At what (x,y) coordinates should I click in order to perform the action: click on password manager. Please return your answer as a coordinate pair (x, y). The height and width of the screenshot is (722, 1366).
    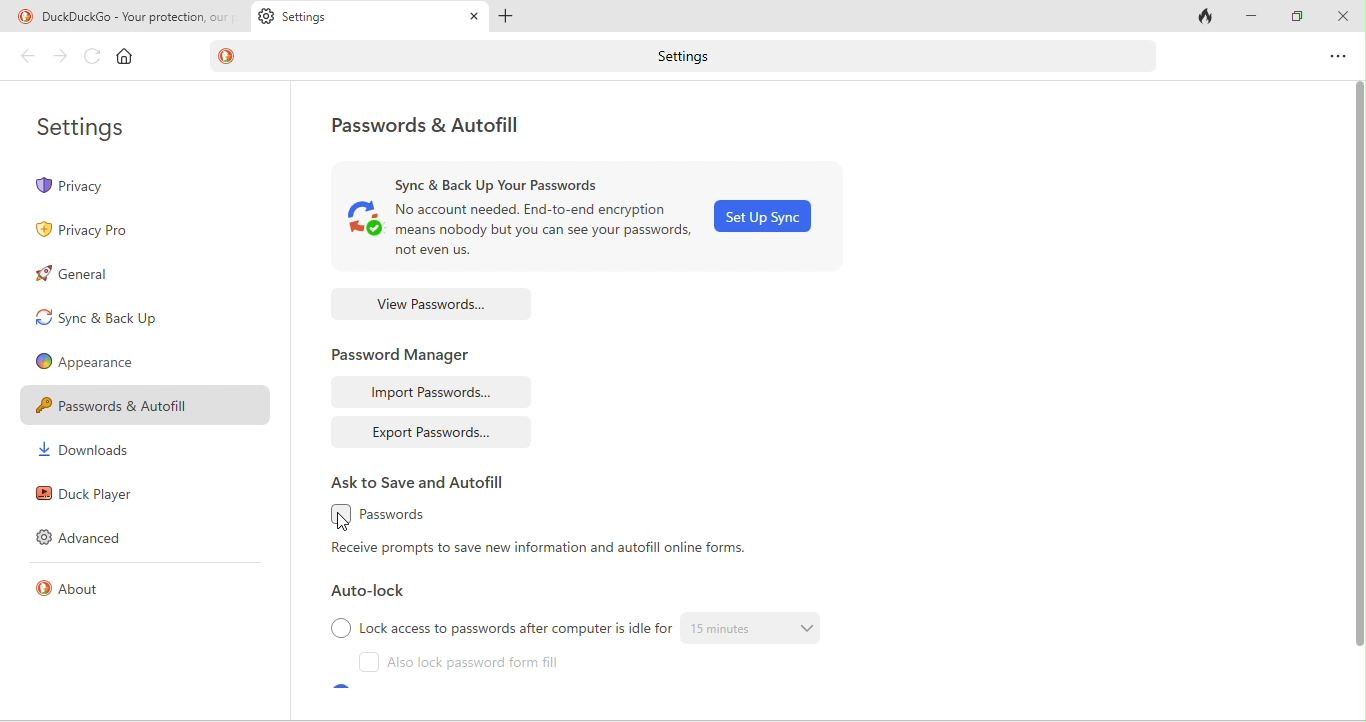
    Looking at the image, I should click on (410, 353).